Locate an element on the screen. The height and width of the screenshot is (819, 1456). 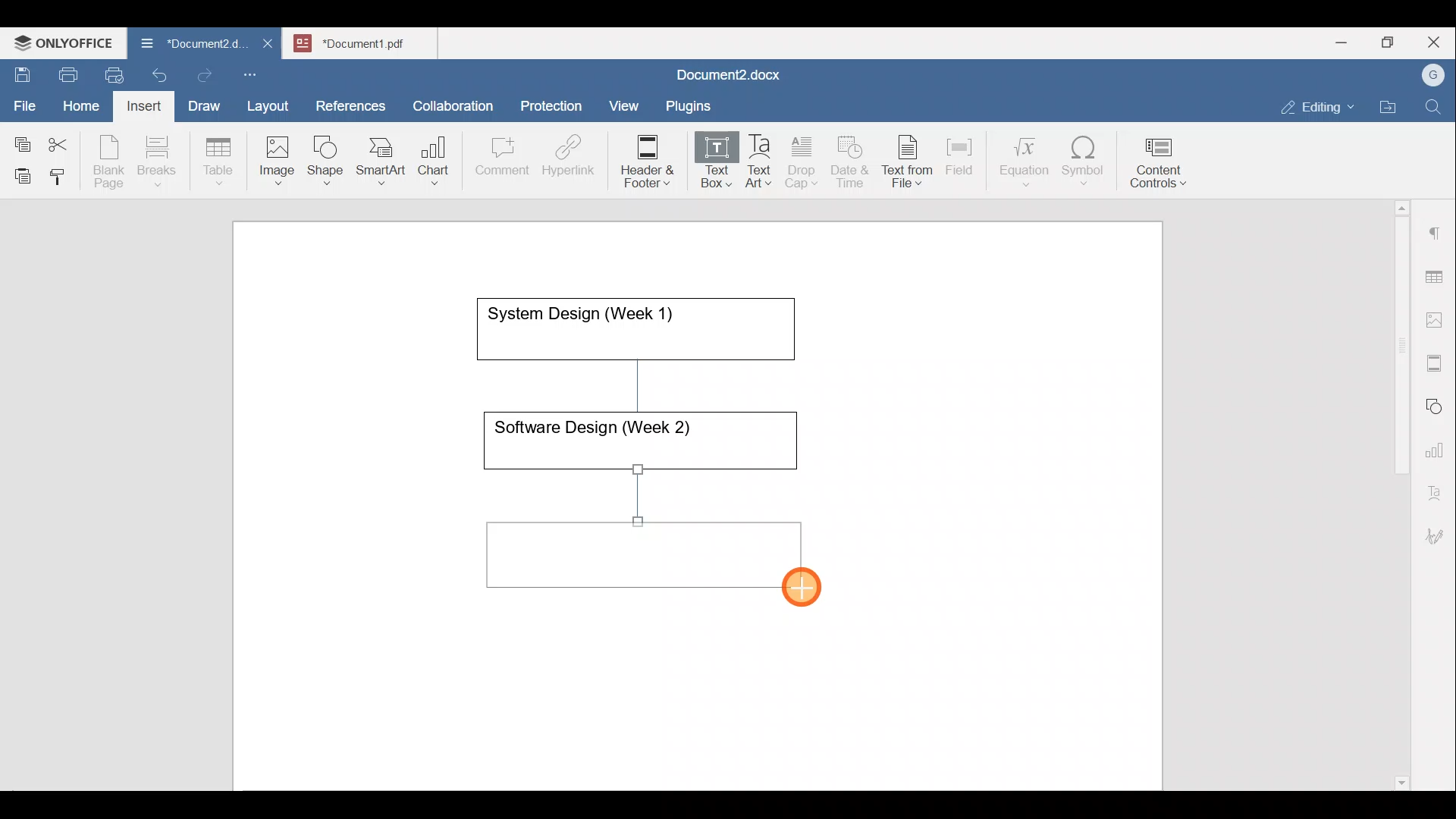
Minimize is located at coordinates (1341, 41).